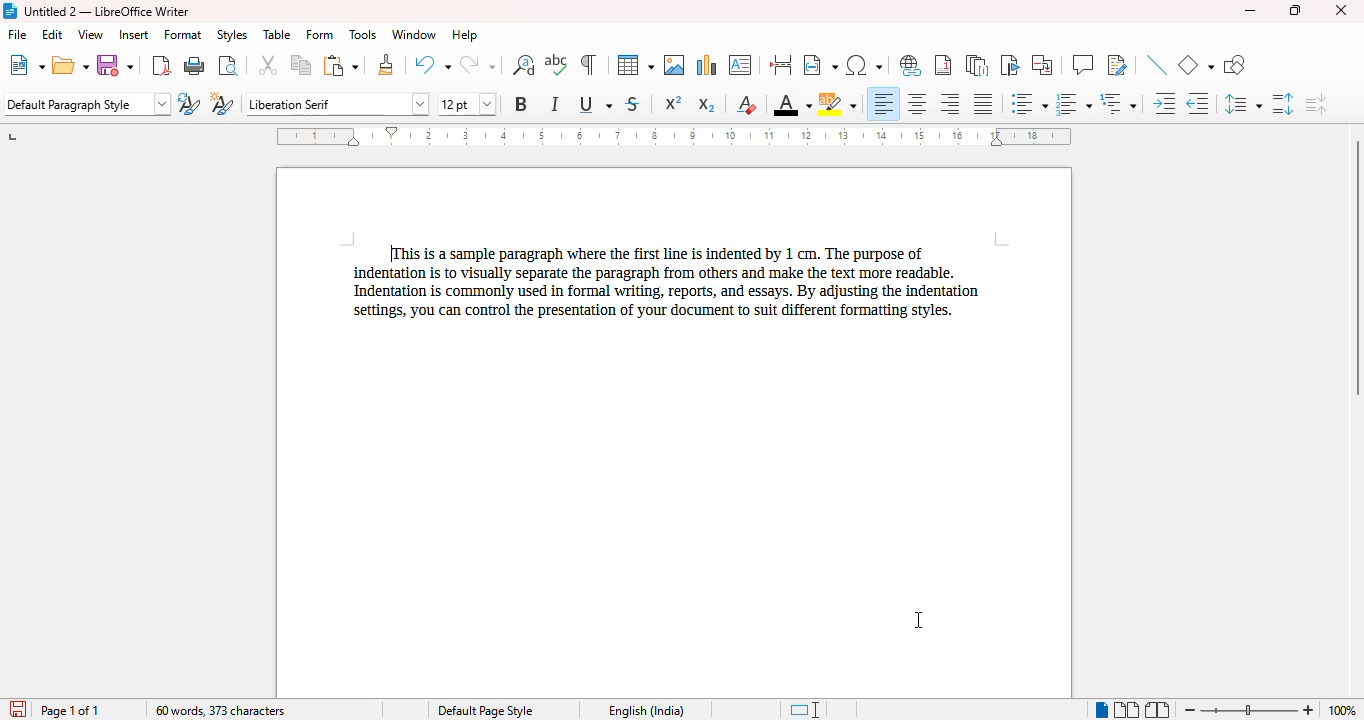 This screenshot has width=1364, height=720. What do you see at coordinates (1342, 10) in the screenshot?
I see `close` at bounding box center [1342, 10].